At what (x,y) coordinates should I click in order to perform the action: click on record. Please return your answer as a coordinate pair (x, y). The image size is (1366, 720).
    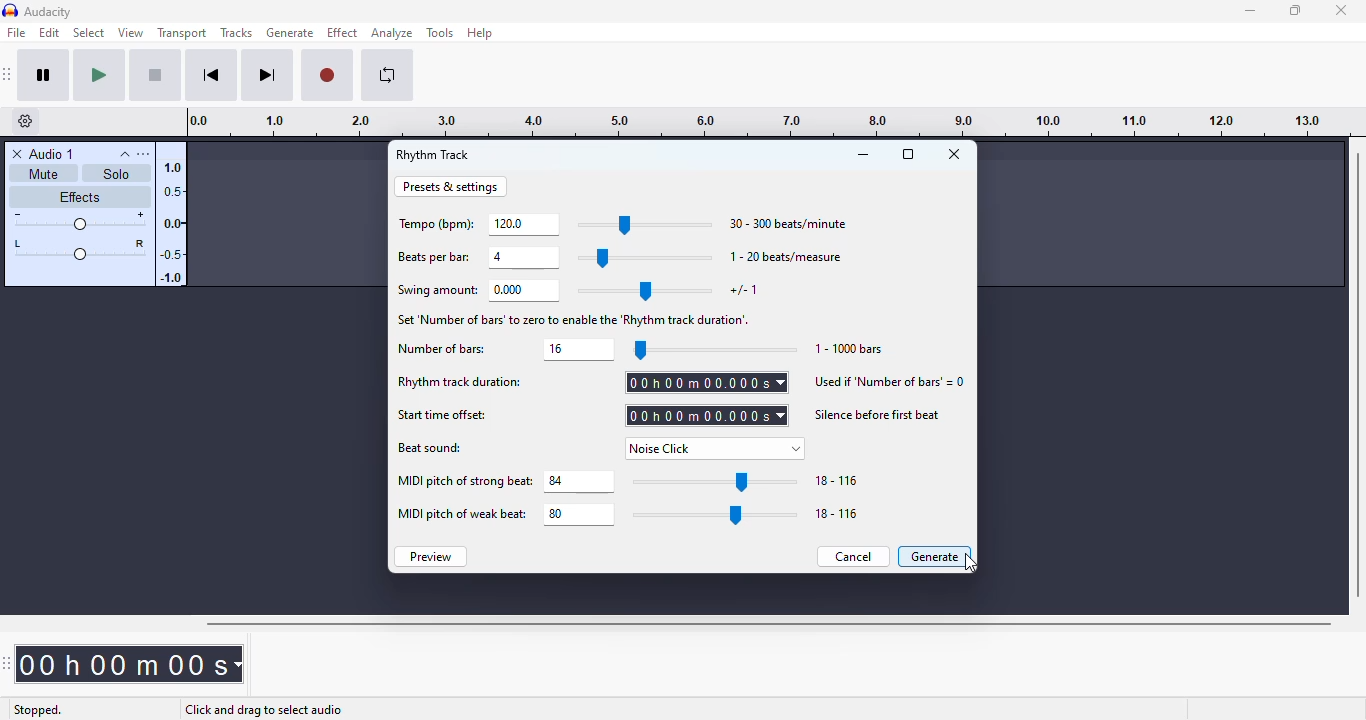
    Looking at the image, I should click on (328, 75).